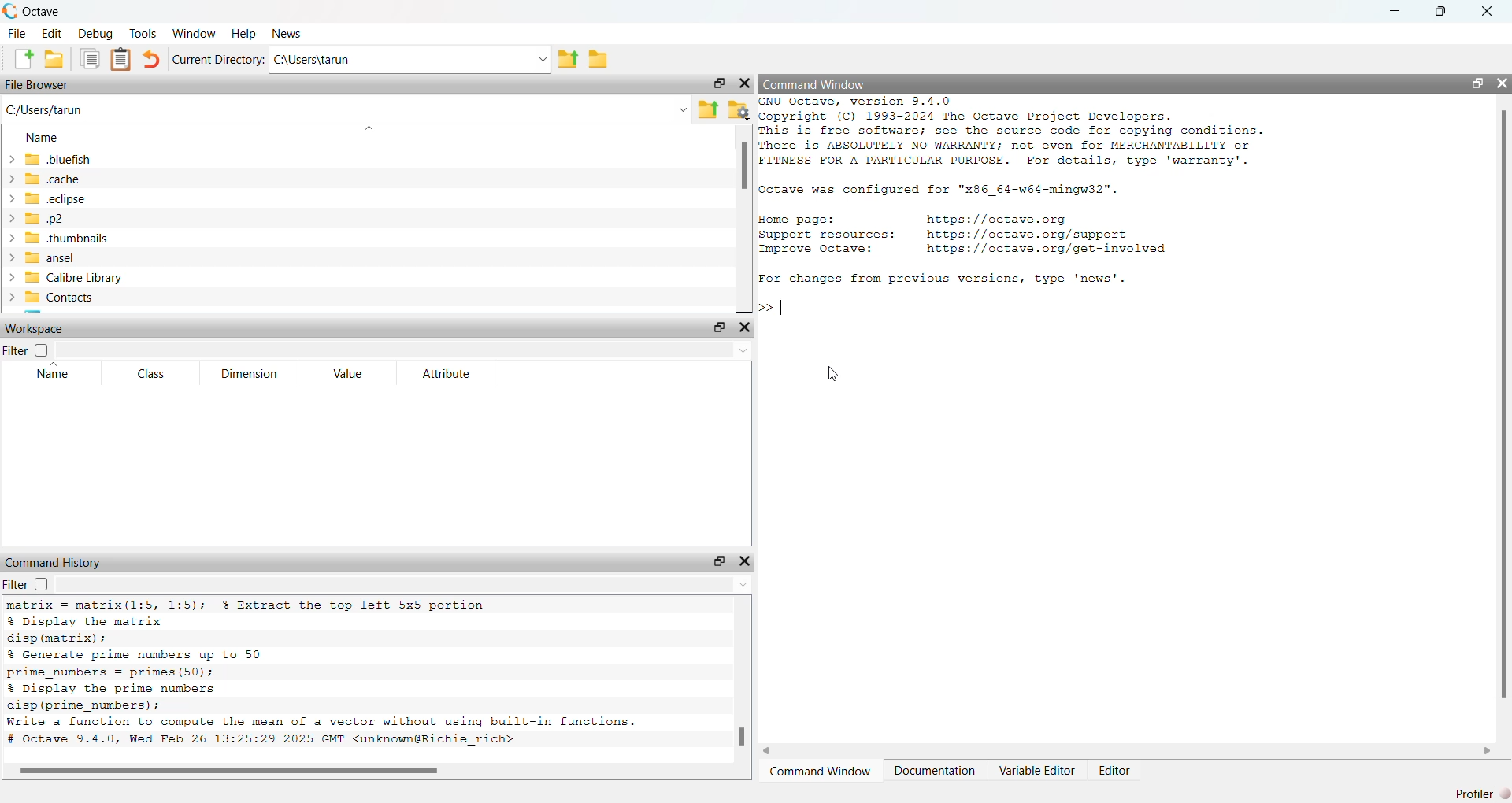  Describe the element at coordinates (569, 60) in the screenshot. I see `share folder` at that location.